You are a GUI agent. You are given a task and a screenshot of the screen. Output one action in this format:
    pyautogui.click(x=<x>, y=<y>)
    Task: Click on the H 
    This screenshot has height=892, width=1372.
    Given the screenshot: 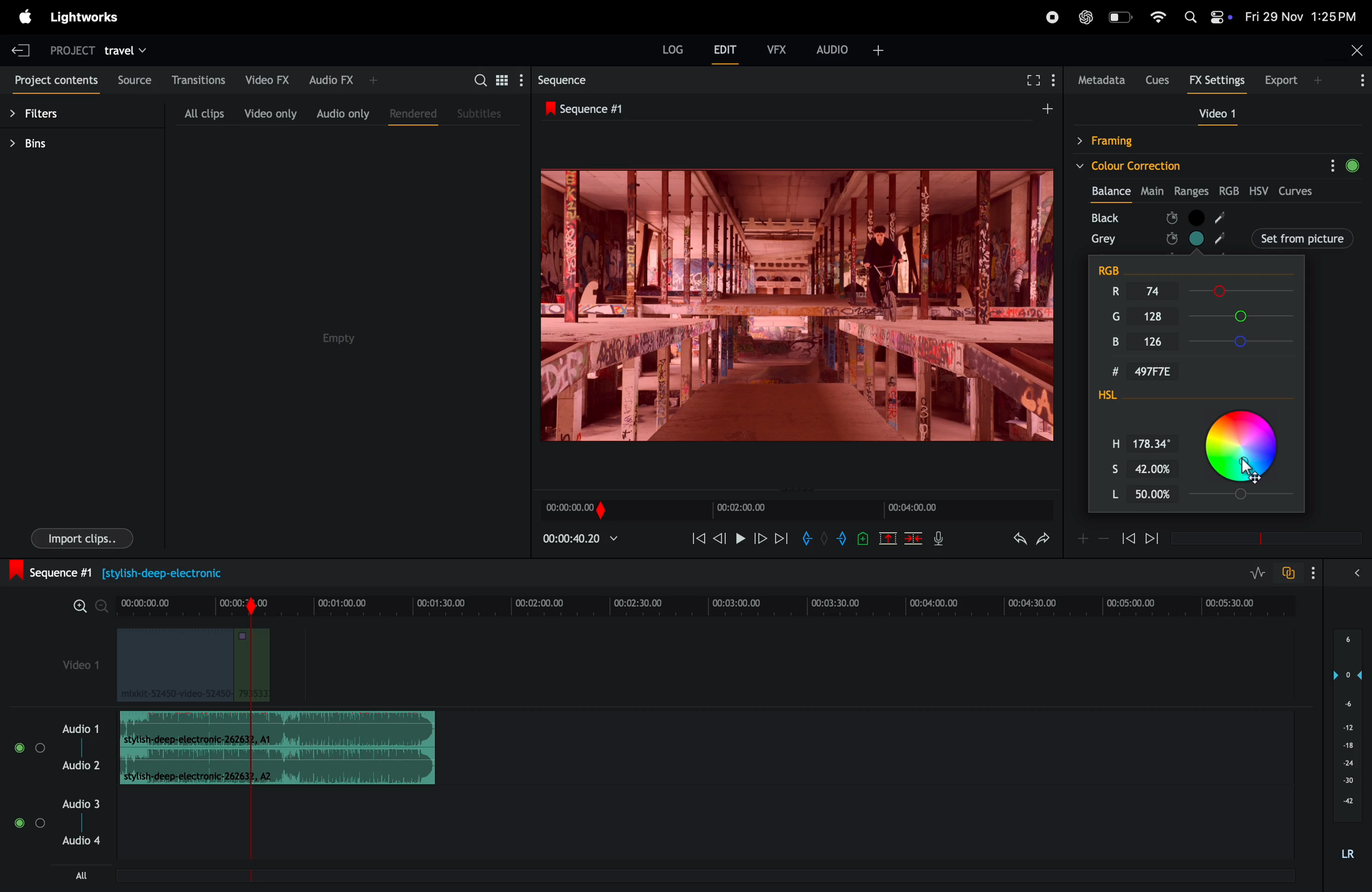 What is the action you would take?
    pyautogui.click(x=1109, y=441)
    